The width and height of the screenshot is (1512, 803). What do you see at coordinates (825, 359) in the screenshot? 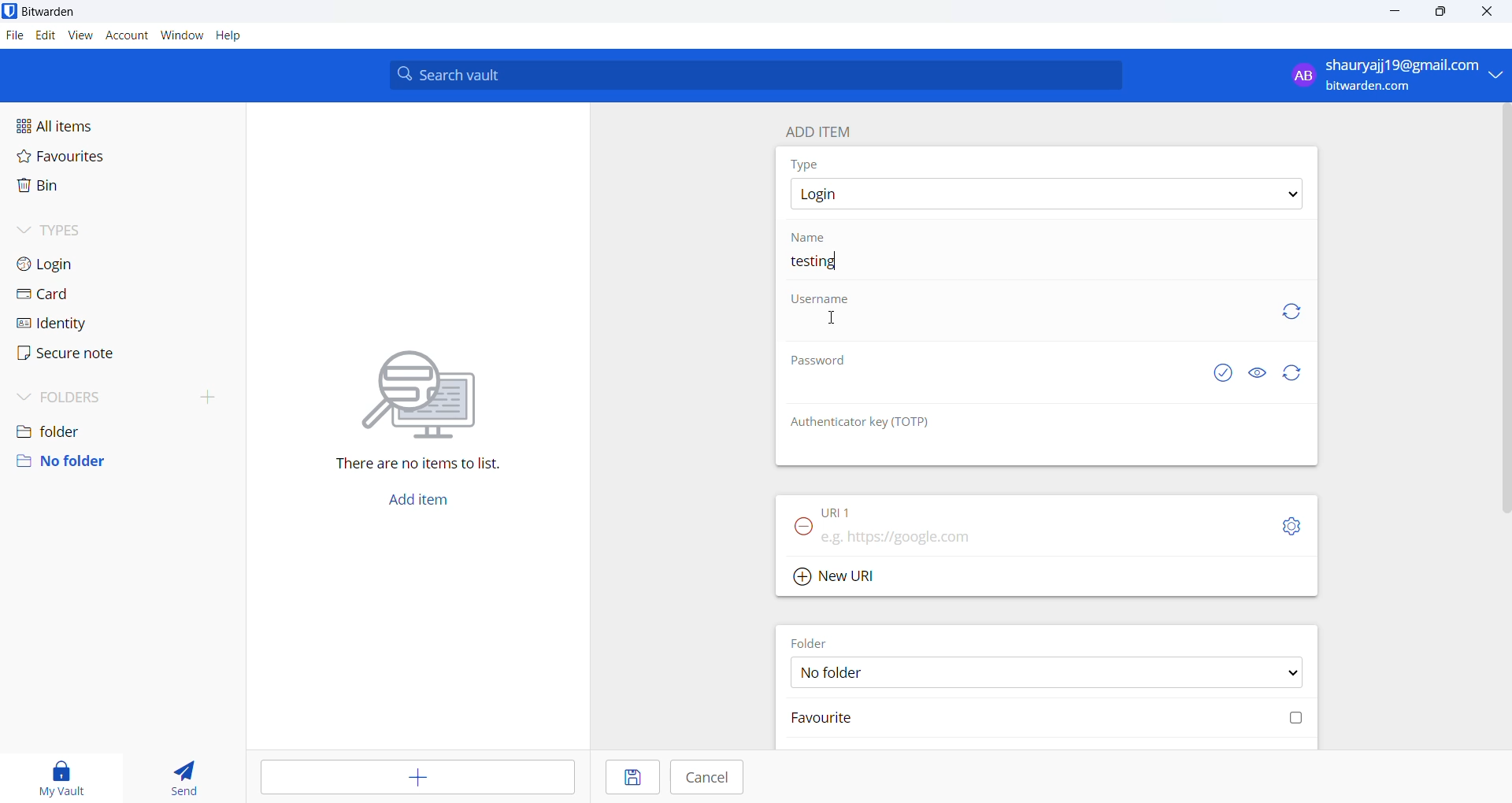
I see `password` at bounding box center [825, 359].